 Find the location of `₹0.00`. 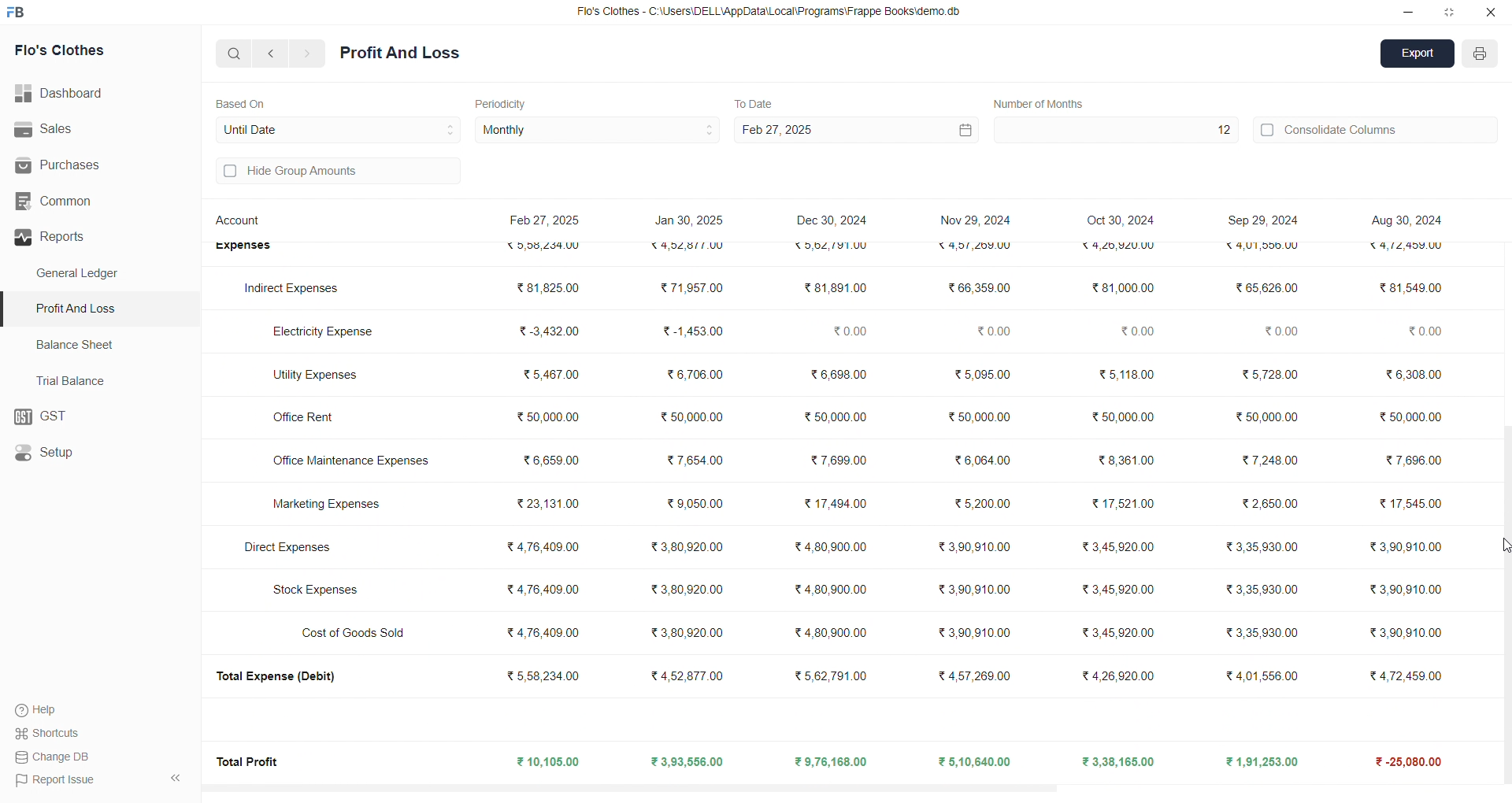

₹0.00 is located at coordinates (846, 329).